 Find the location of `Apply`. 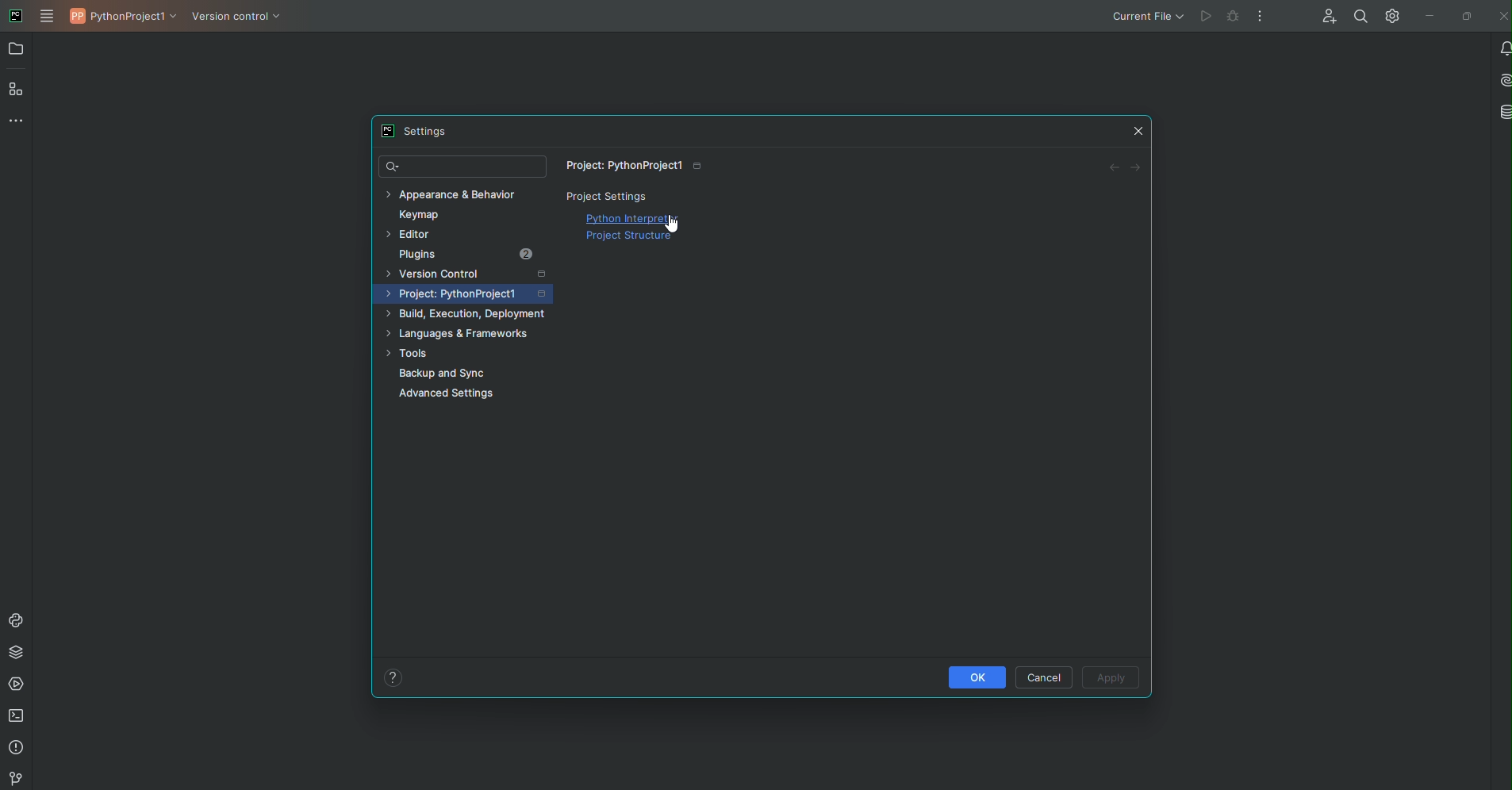

Apply is located at coordinates (1111, 679).